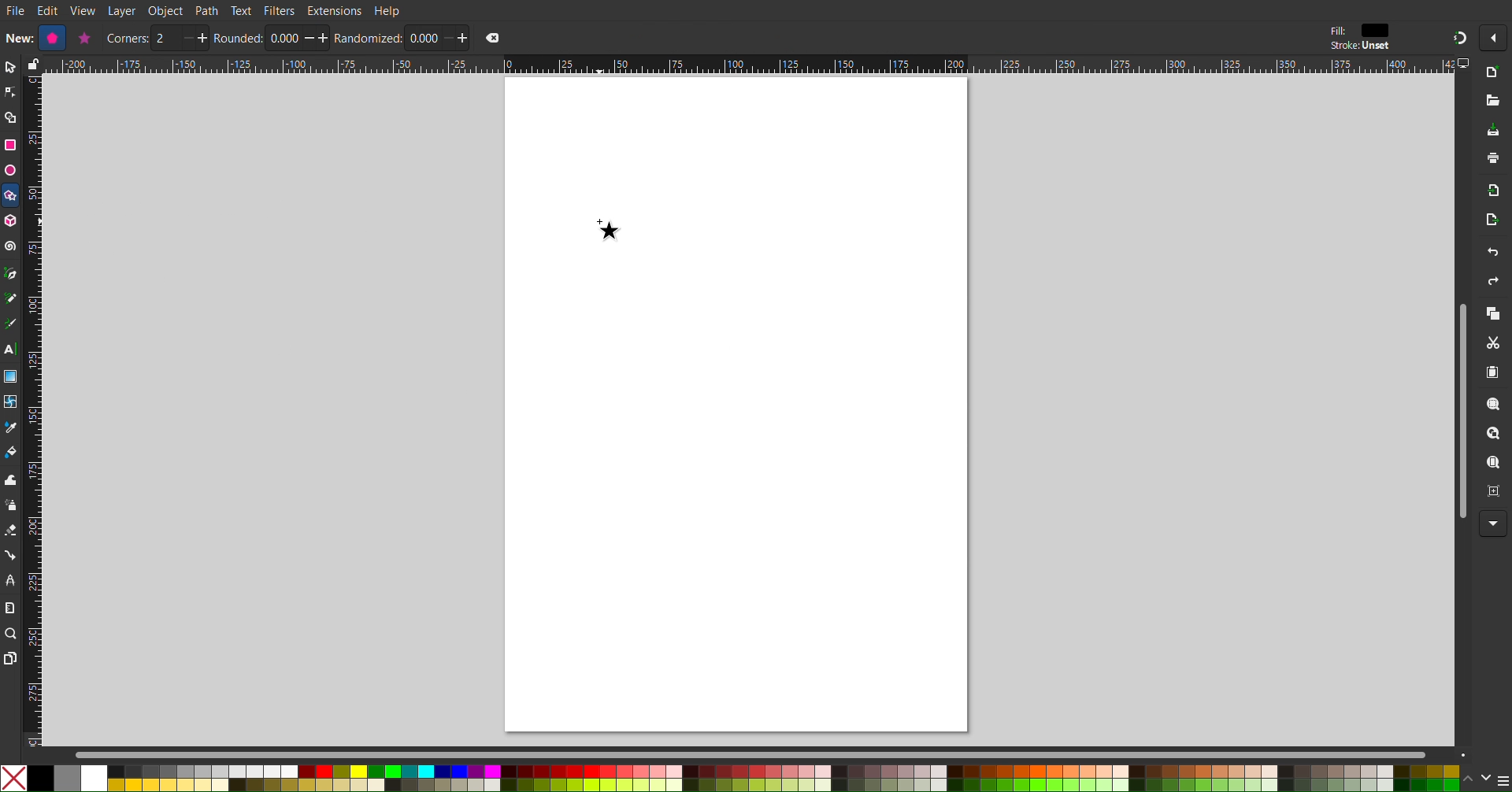 This screenshot has height=792, width=1512. What do you see at coordinates (9, 170) in the screenshot?
I see `Ellipse` at bounding box center [9, 170].